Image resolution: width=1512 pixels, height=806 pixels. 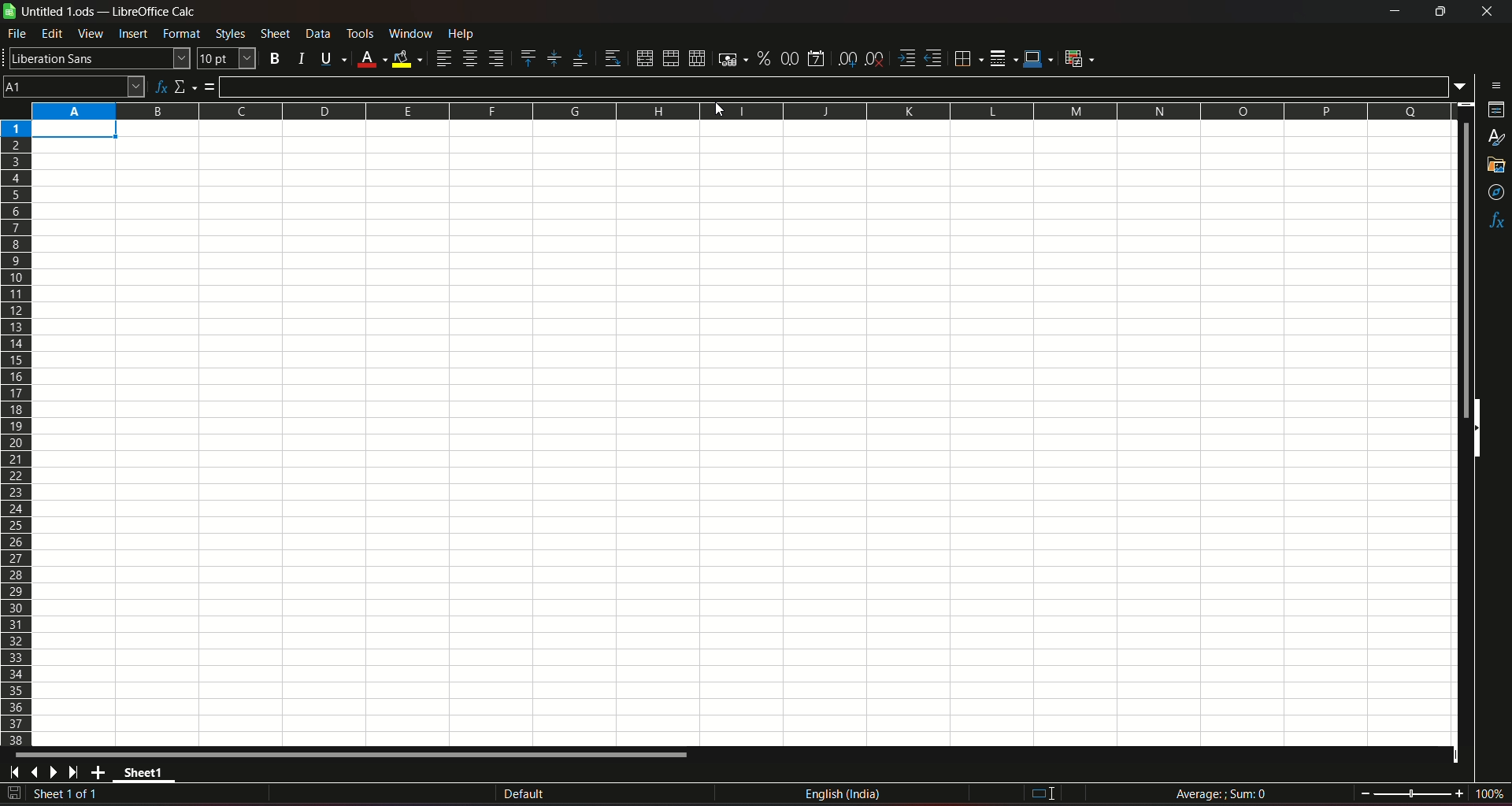 I want to click on add new sheet, so click(x=98, y=772).